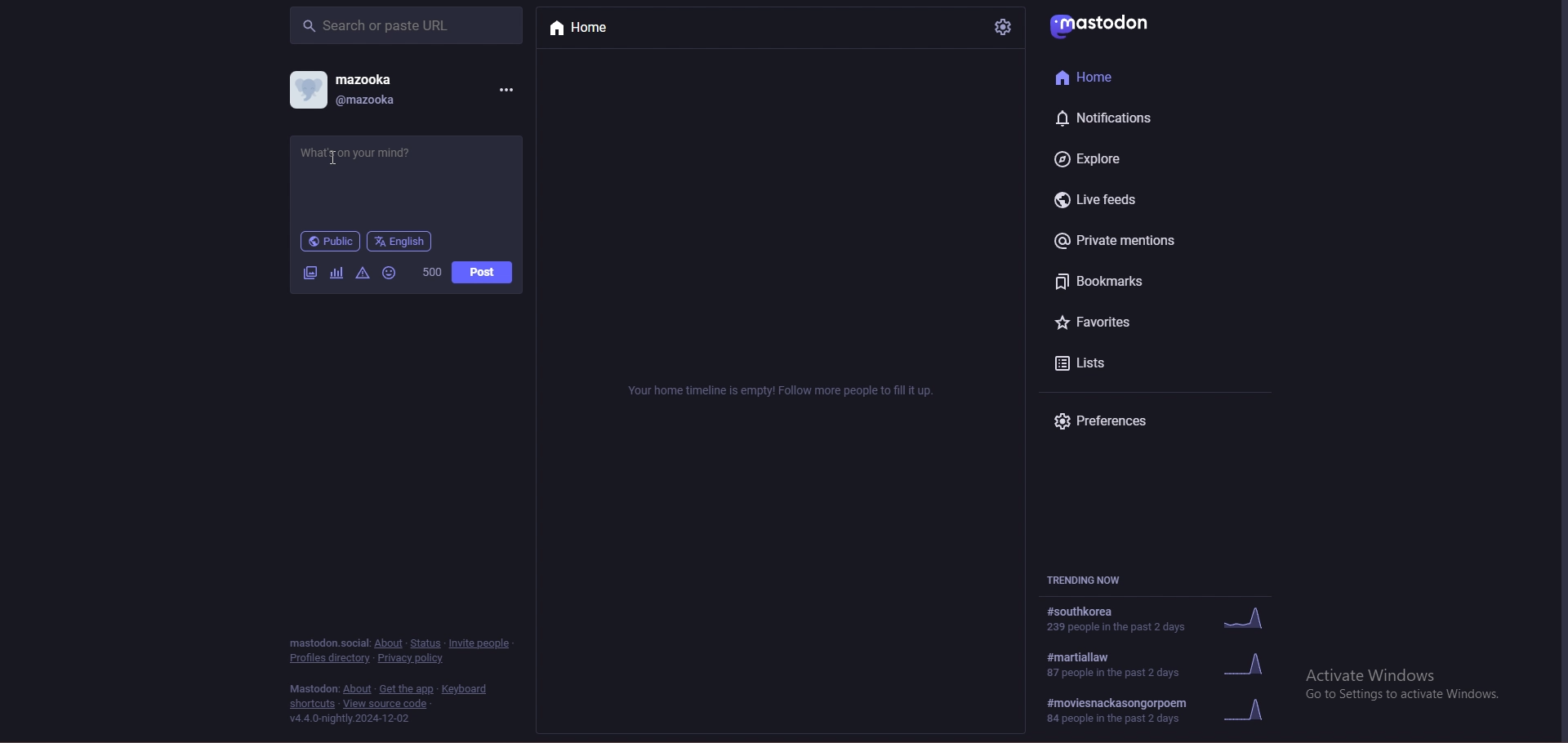 The width and height of the screenshot is (1568, 743). I want to click on explore, so click(1111, 158).